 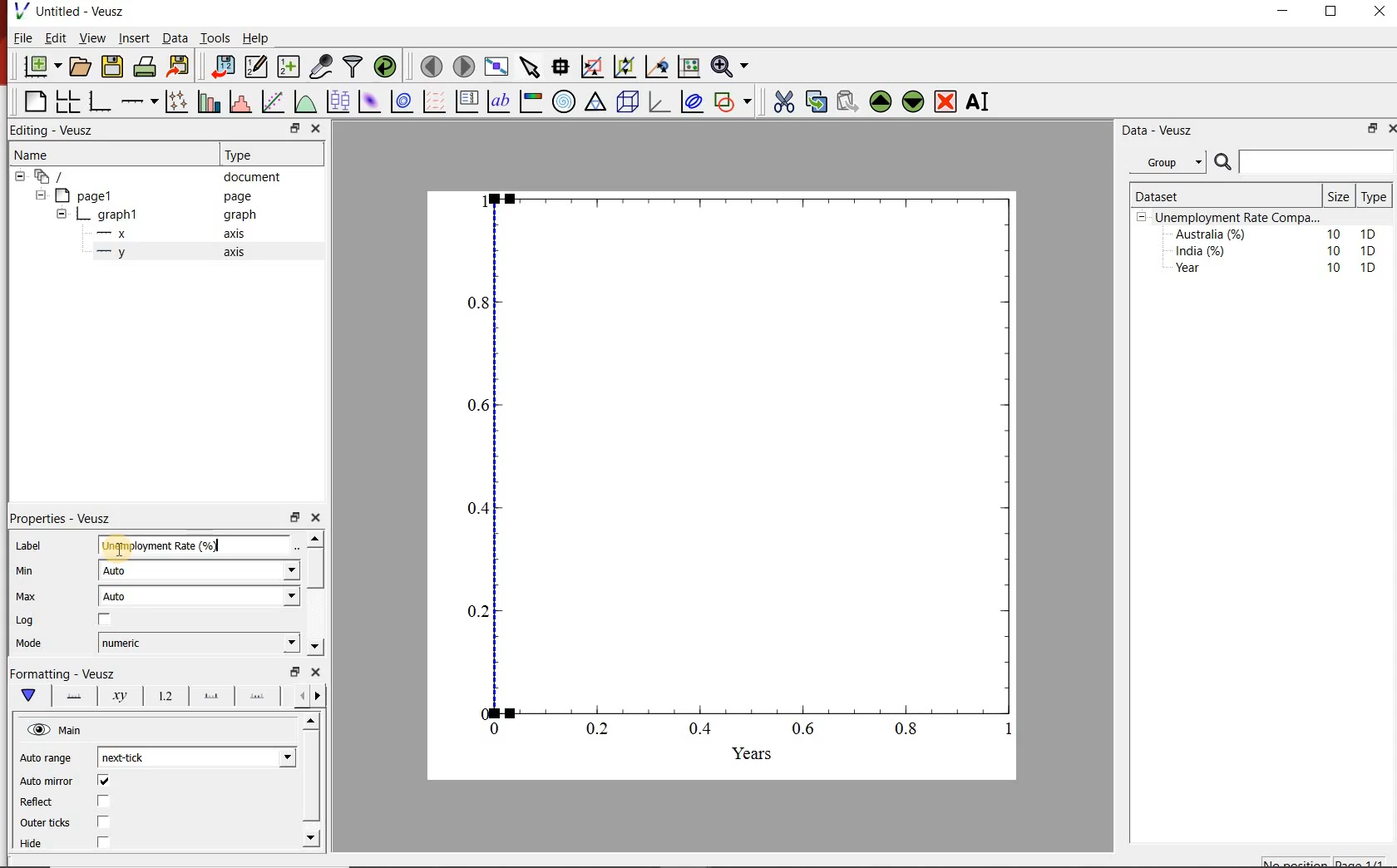 I want to click on scroll bar, so click(x=312, y=776).